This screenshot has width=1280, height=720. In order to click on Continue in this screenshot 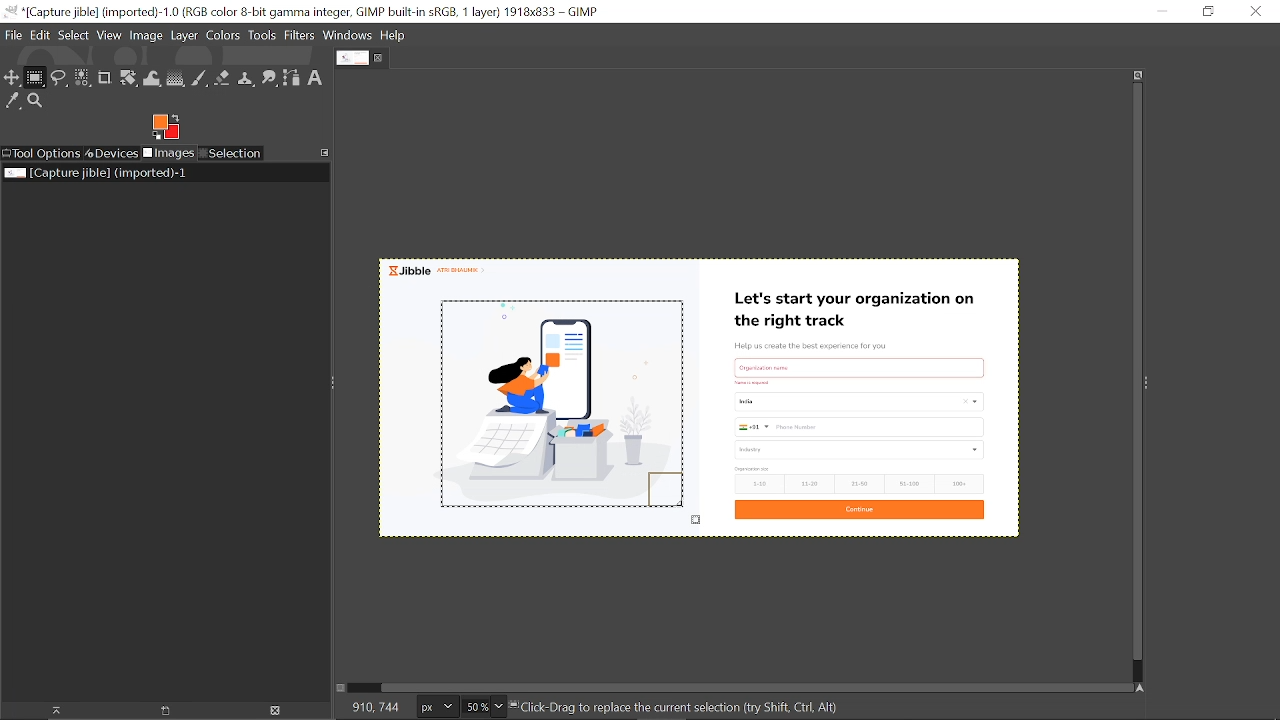, I will do `click(860, 510)`.